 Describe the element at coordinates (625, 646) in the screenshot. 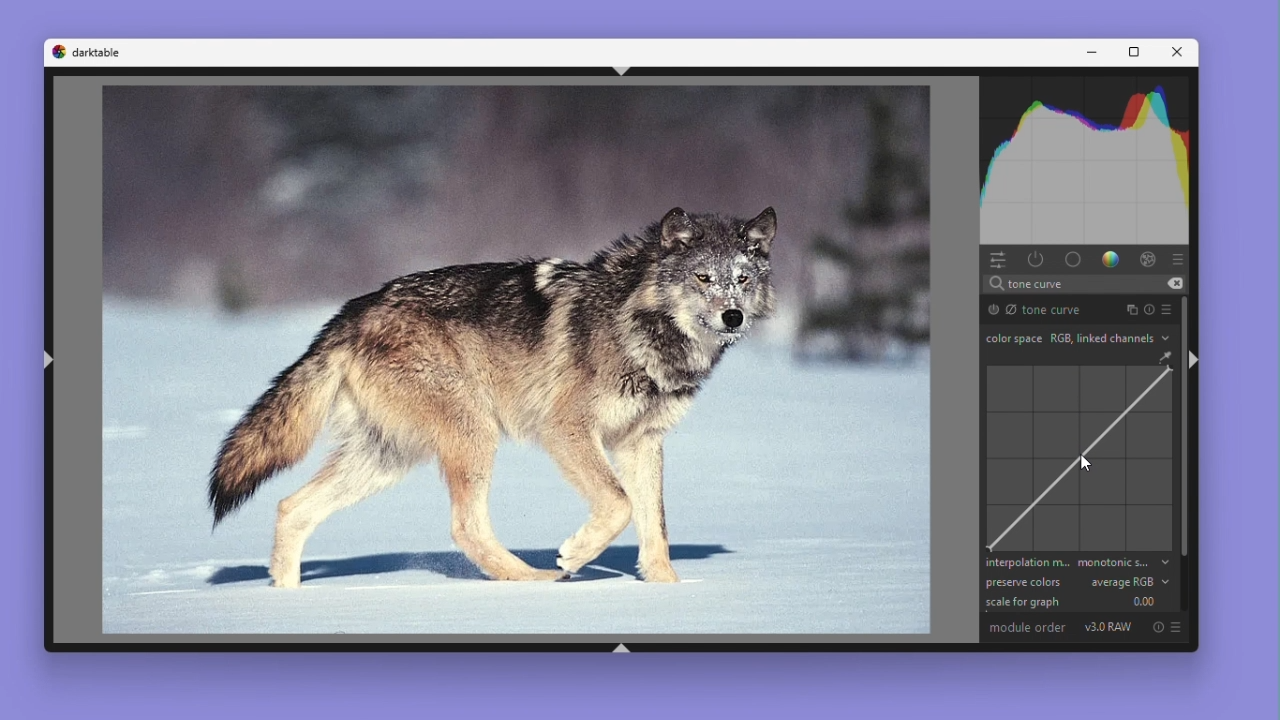

I see `shift+ctrl+b` at that location.